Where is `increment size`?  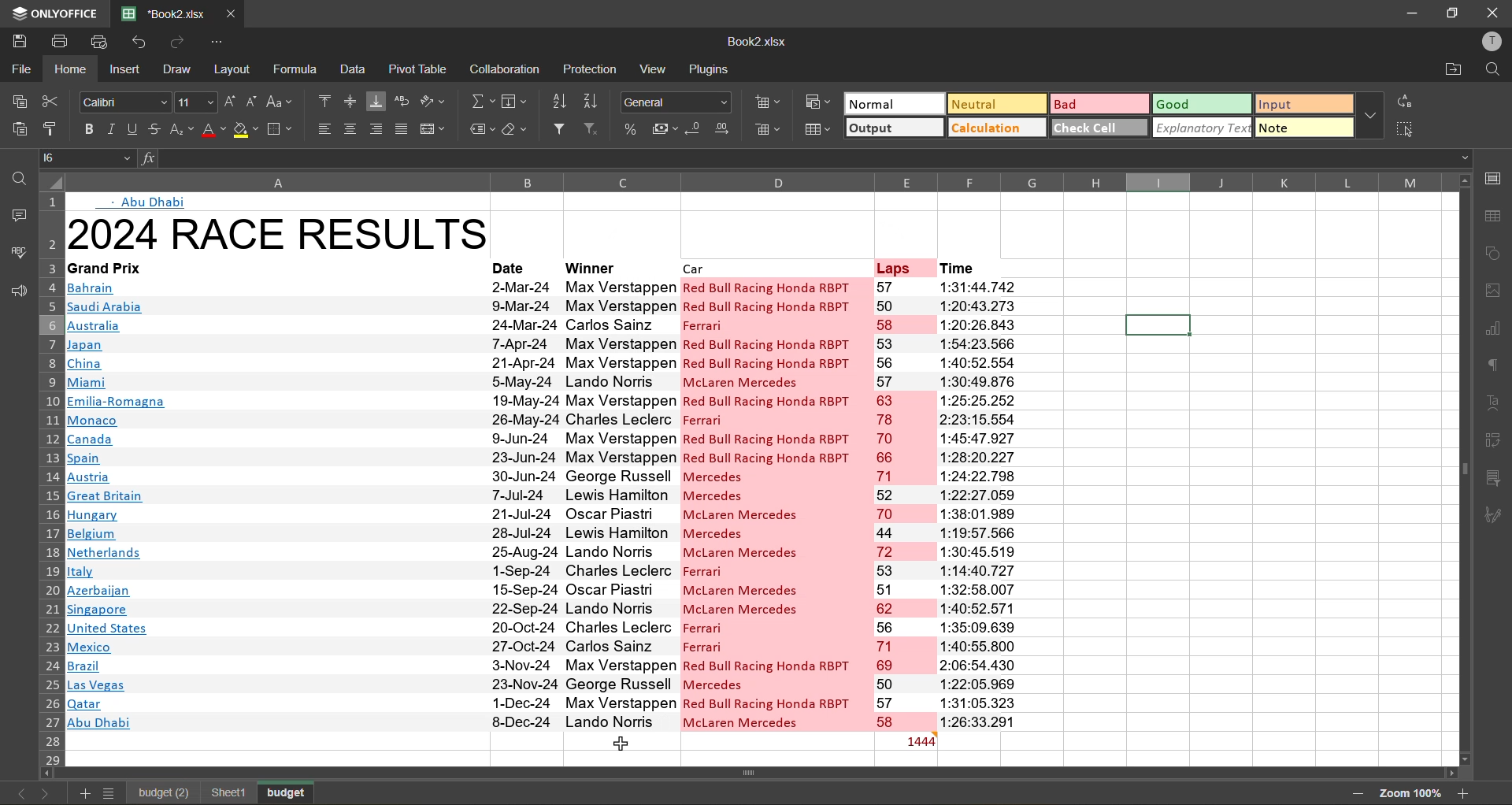 increment size is located at coordinates (231, 101).